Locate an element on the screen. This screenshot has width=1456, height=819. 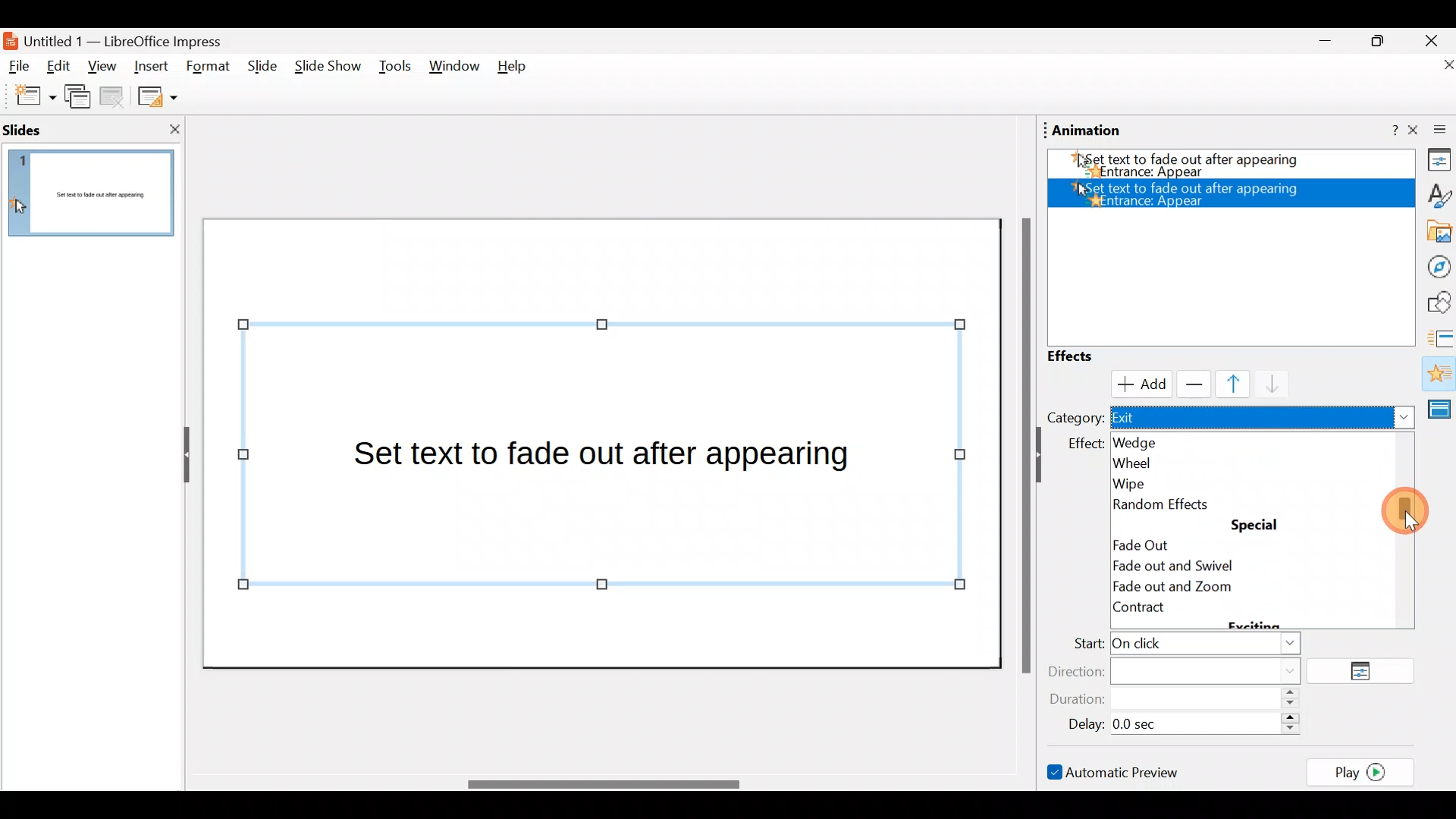
File is located at coordinates (20, 67).